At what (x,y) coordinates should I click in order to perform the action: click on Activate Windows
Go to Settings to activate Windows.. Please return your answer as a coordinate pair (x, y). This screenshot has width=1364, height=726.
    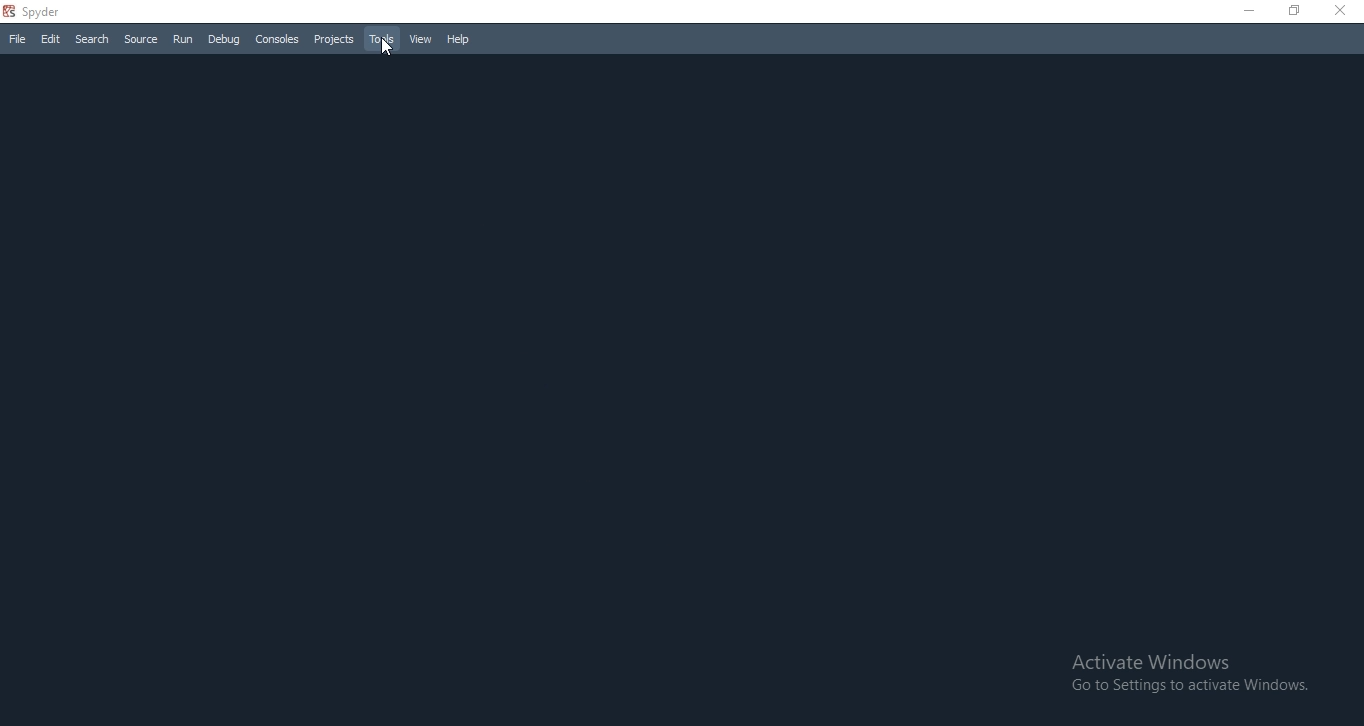
    Looking at the image, I should click on (1191, 674).